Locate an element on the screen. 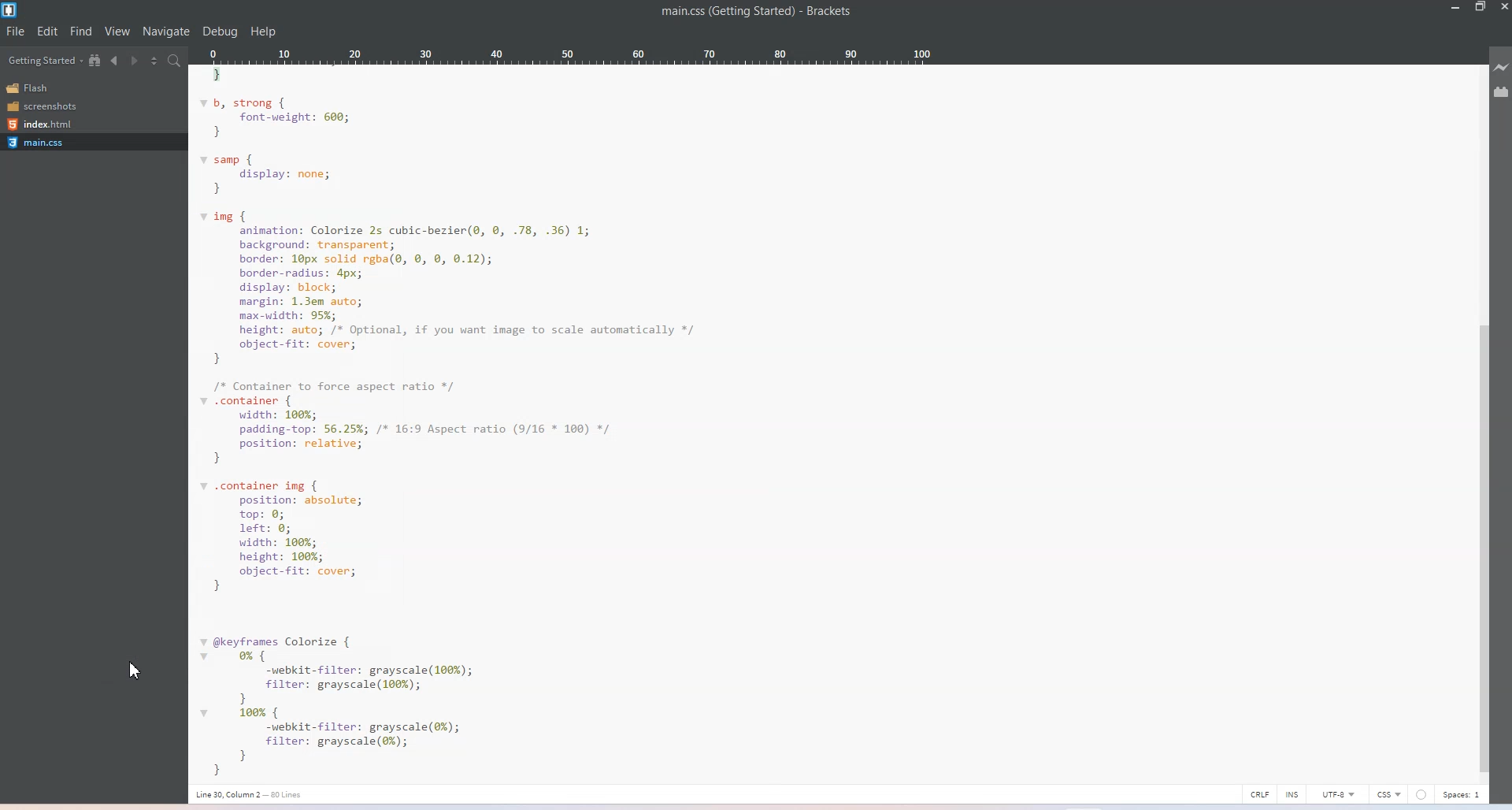  Minimize is located at coordinates (1456, 8).